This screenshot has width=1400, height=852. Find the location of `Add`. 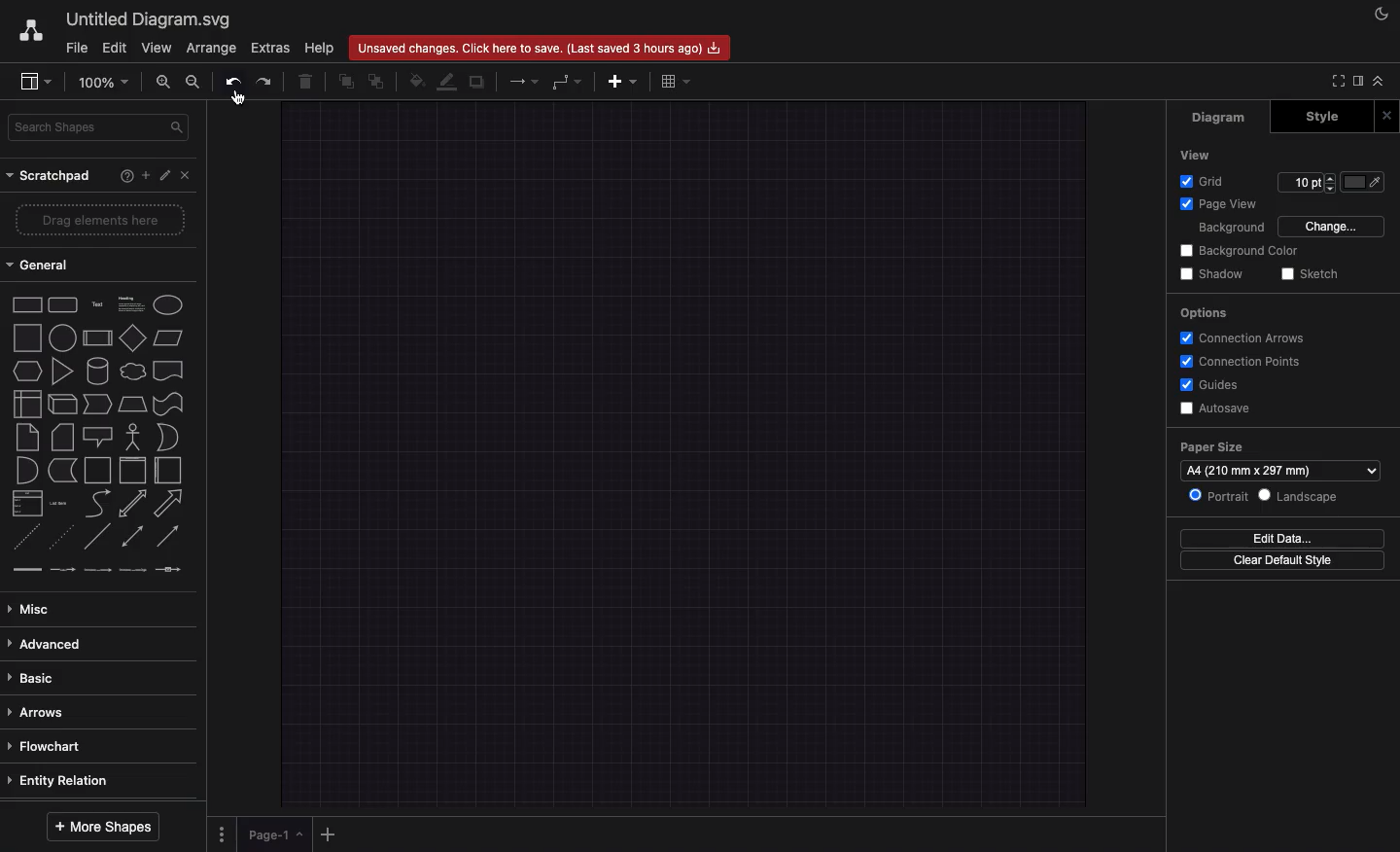

Add is located at coordinates (144, 176).